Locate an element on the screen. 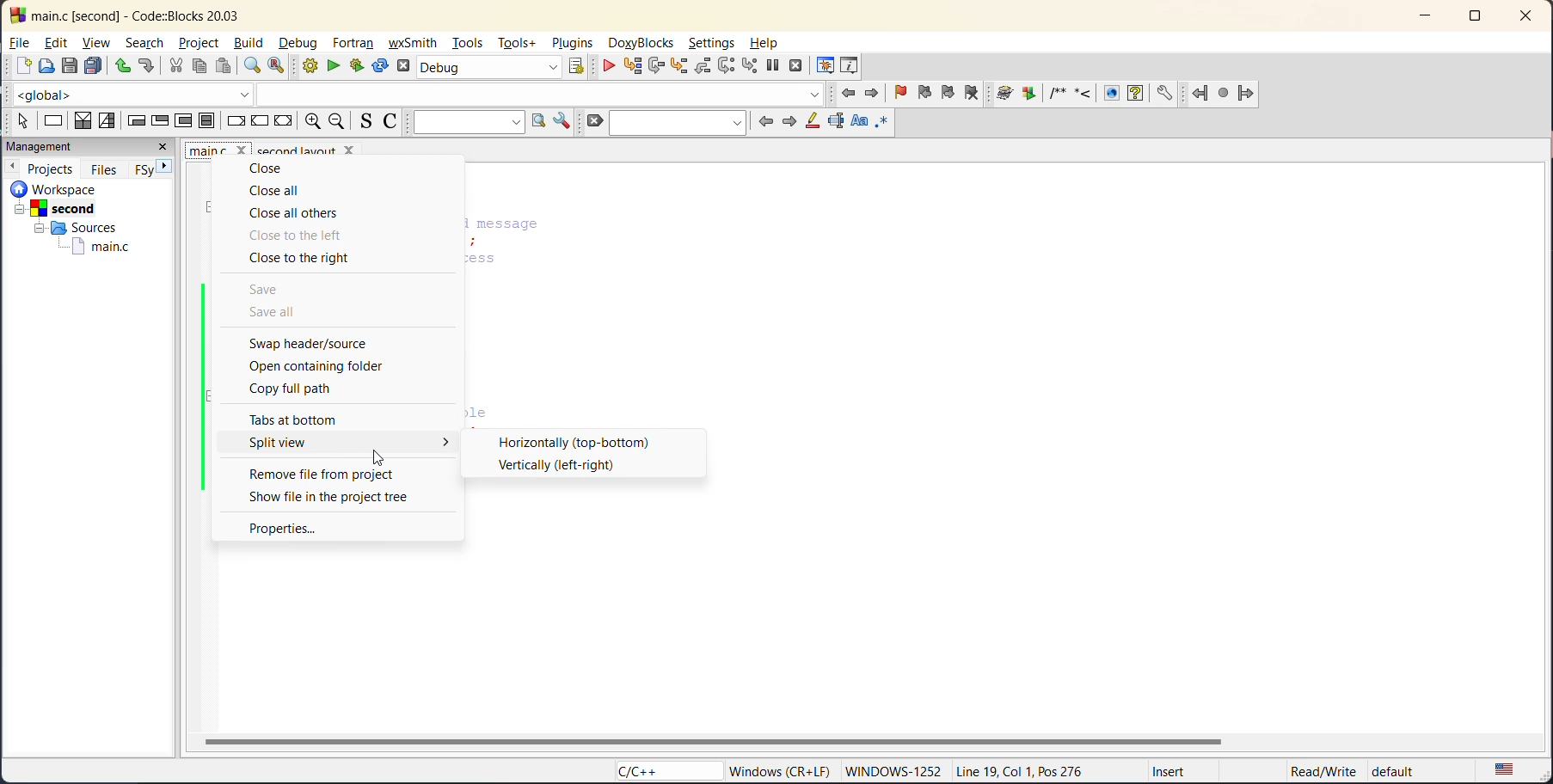  toggle source is located at coordinates (361, 121).